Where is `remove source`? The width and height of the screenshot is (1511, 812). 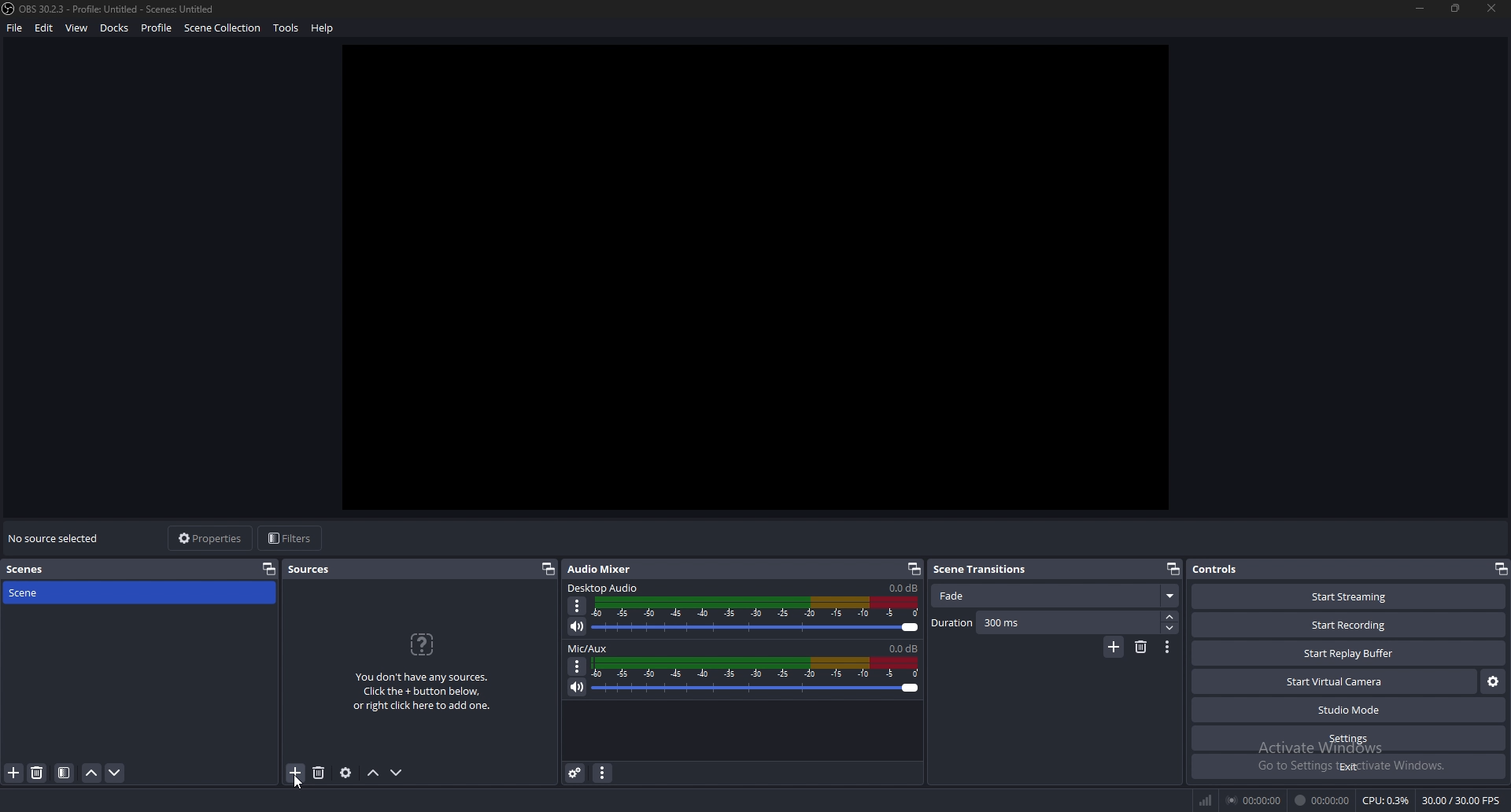
remove source is located at coordinates (320, 773).